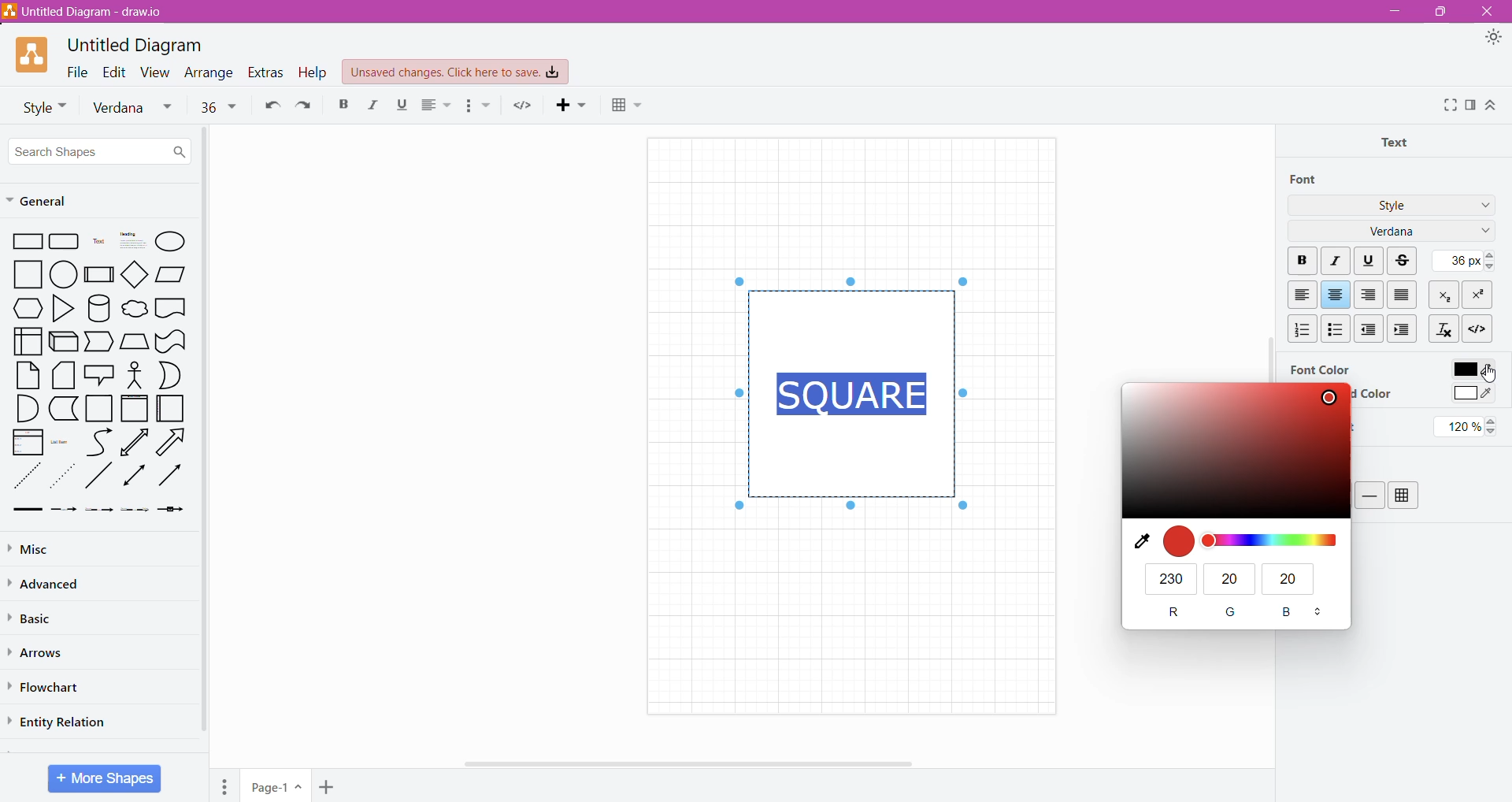 This screenshot has height=802, width=1512. I want to click on Right Diagonal Arrow, so click(173, 443).